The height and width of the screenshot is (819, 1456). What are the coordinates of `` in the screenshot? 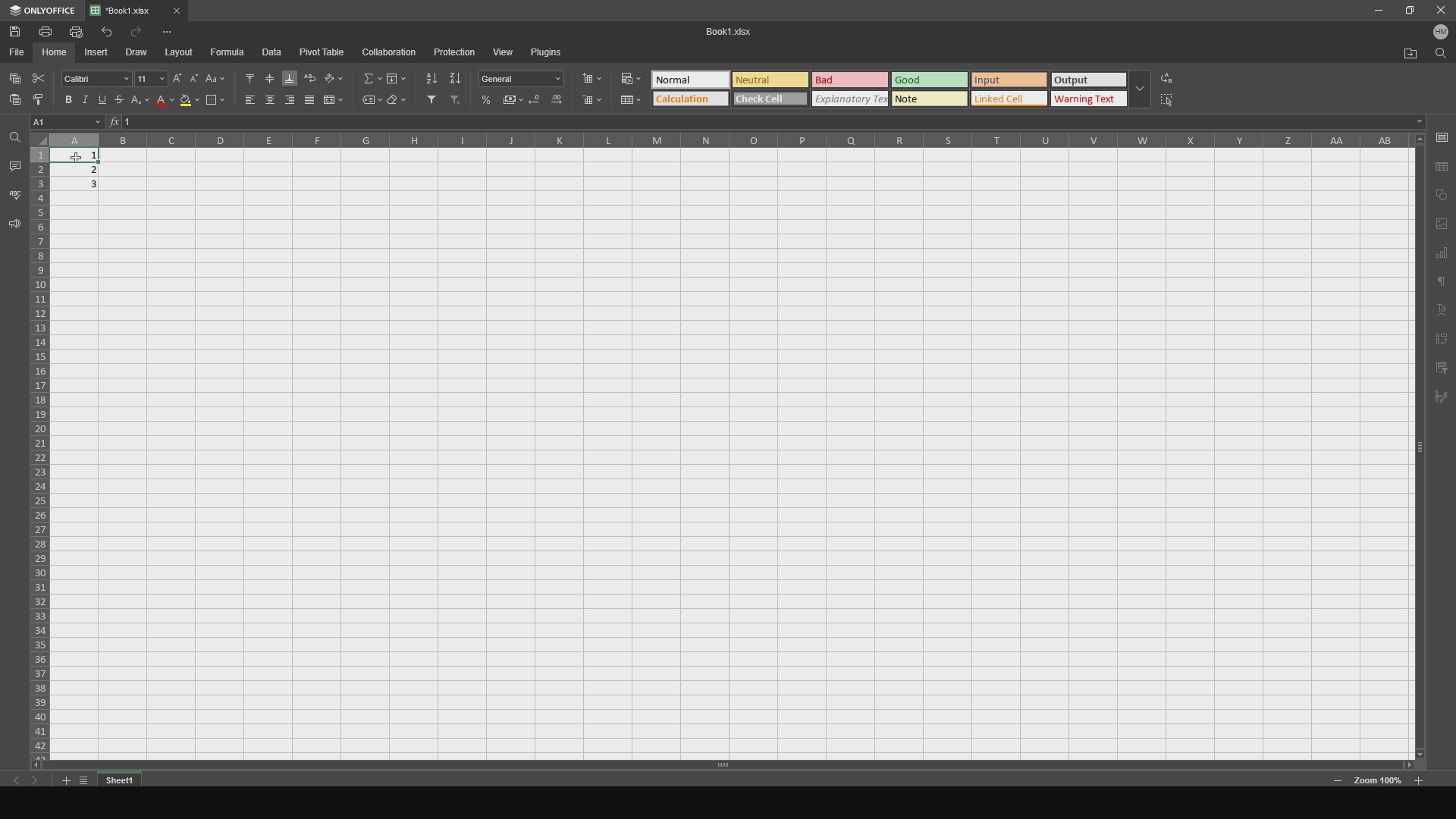 It's located at (514, 99).